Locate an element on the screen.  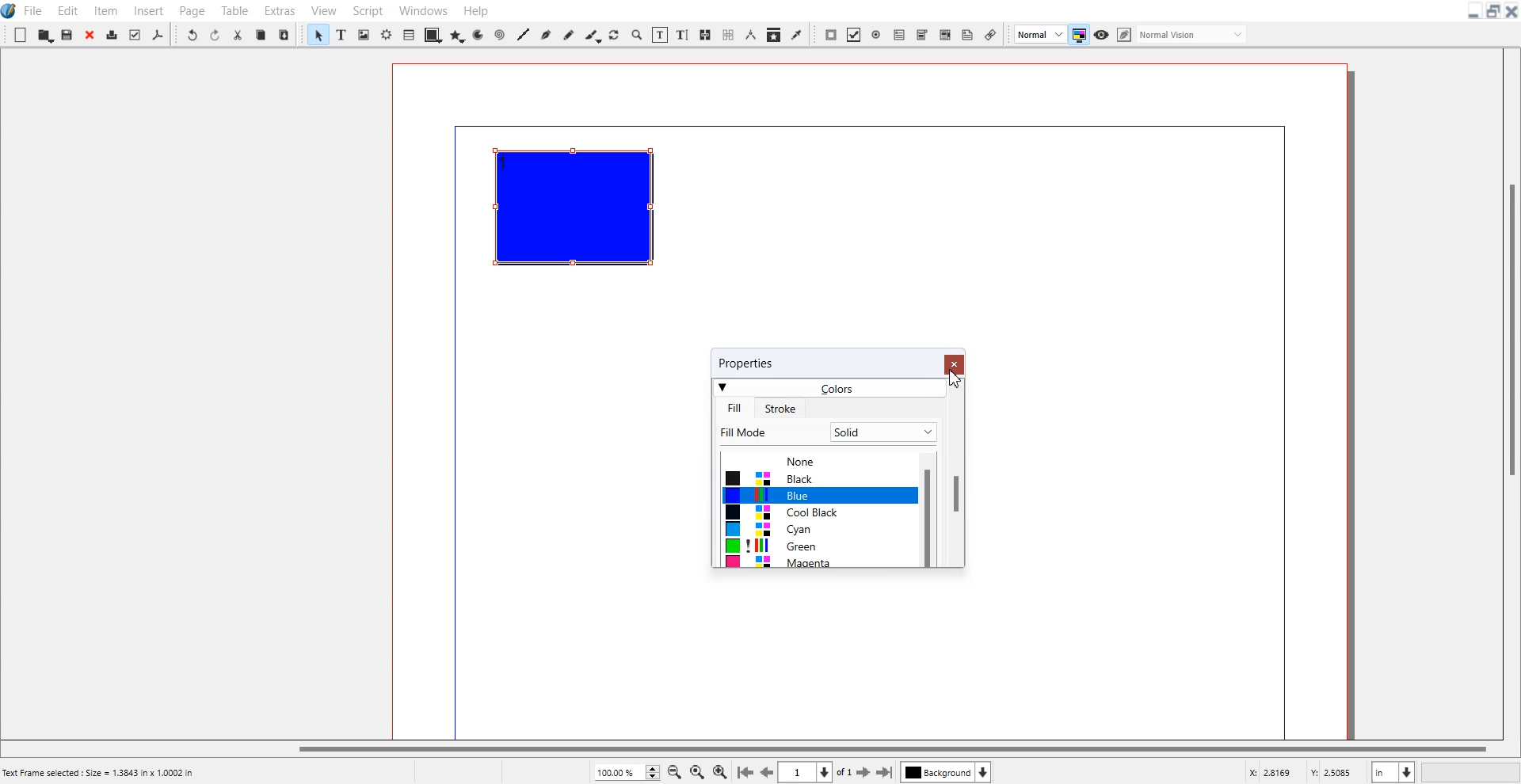
properties is located at coordinates (753, 363).